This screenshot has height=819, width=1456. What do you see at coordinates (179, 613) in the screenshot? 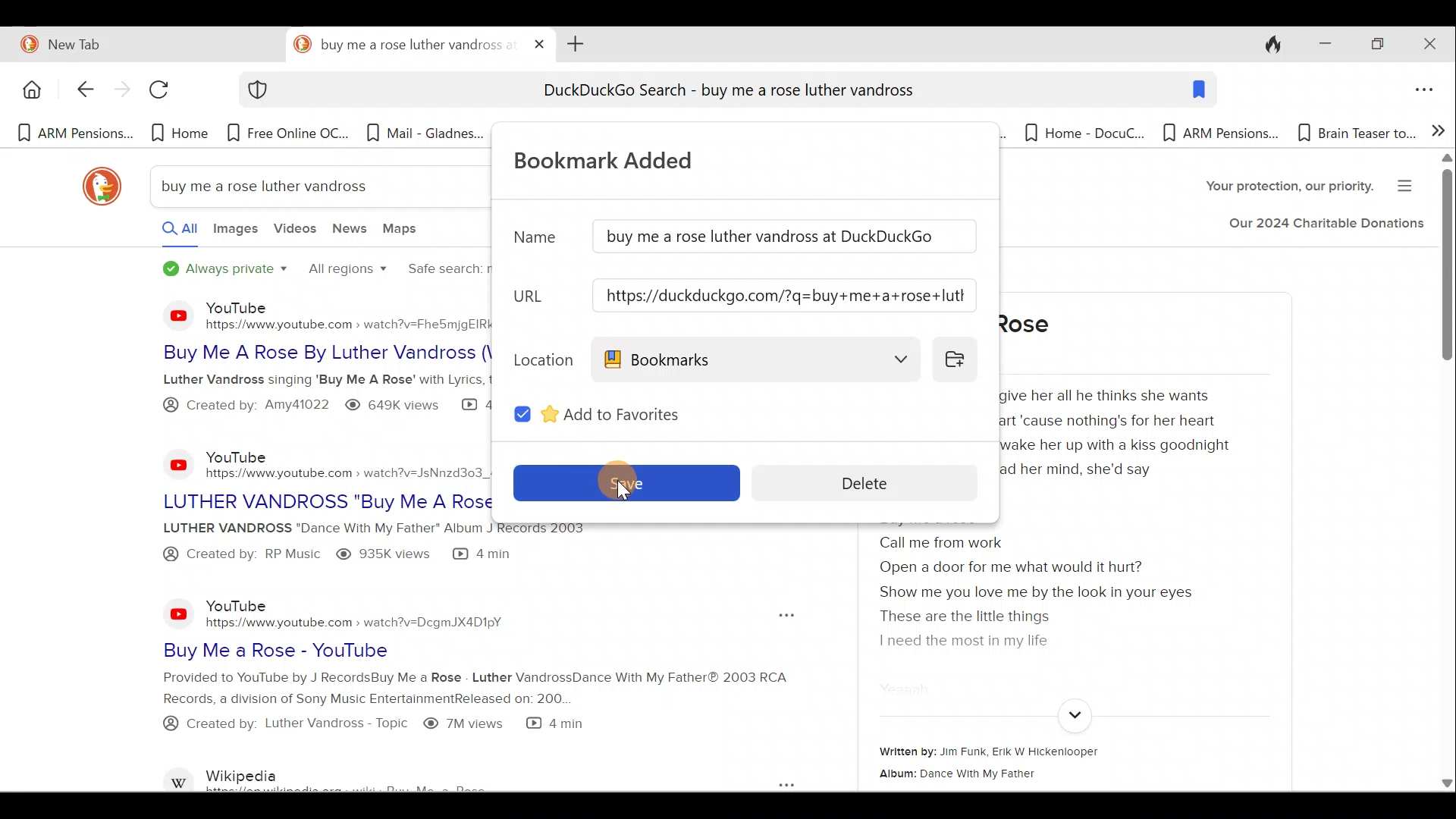
I see `YouTube logo` at bounding box center [179, 613].